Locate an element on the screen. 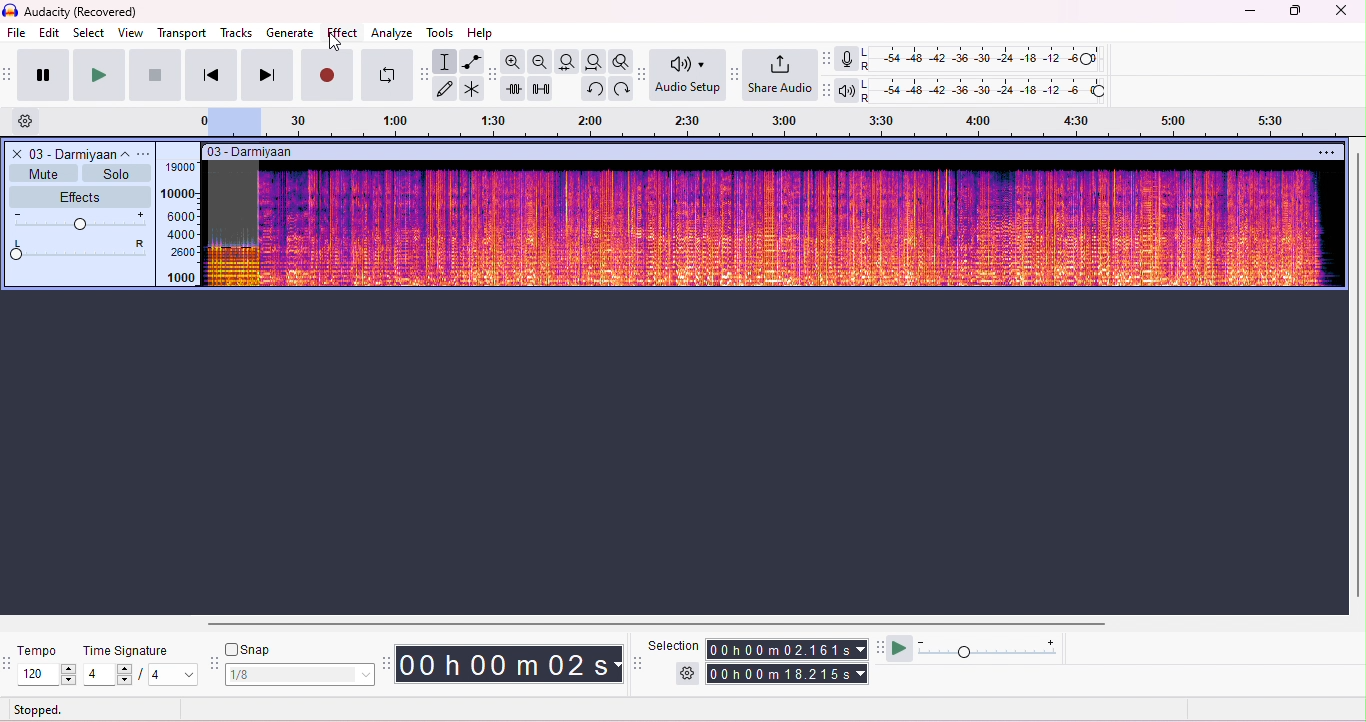 Image resolution: width=1366 pixels, height=722 pixels. options is located at coordinates (145, 154).